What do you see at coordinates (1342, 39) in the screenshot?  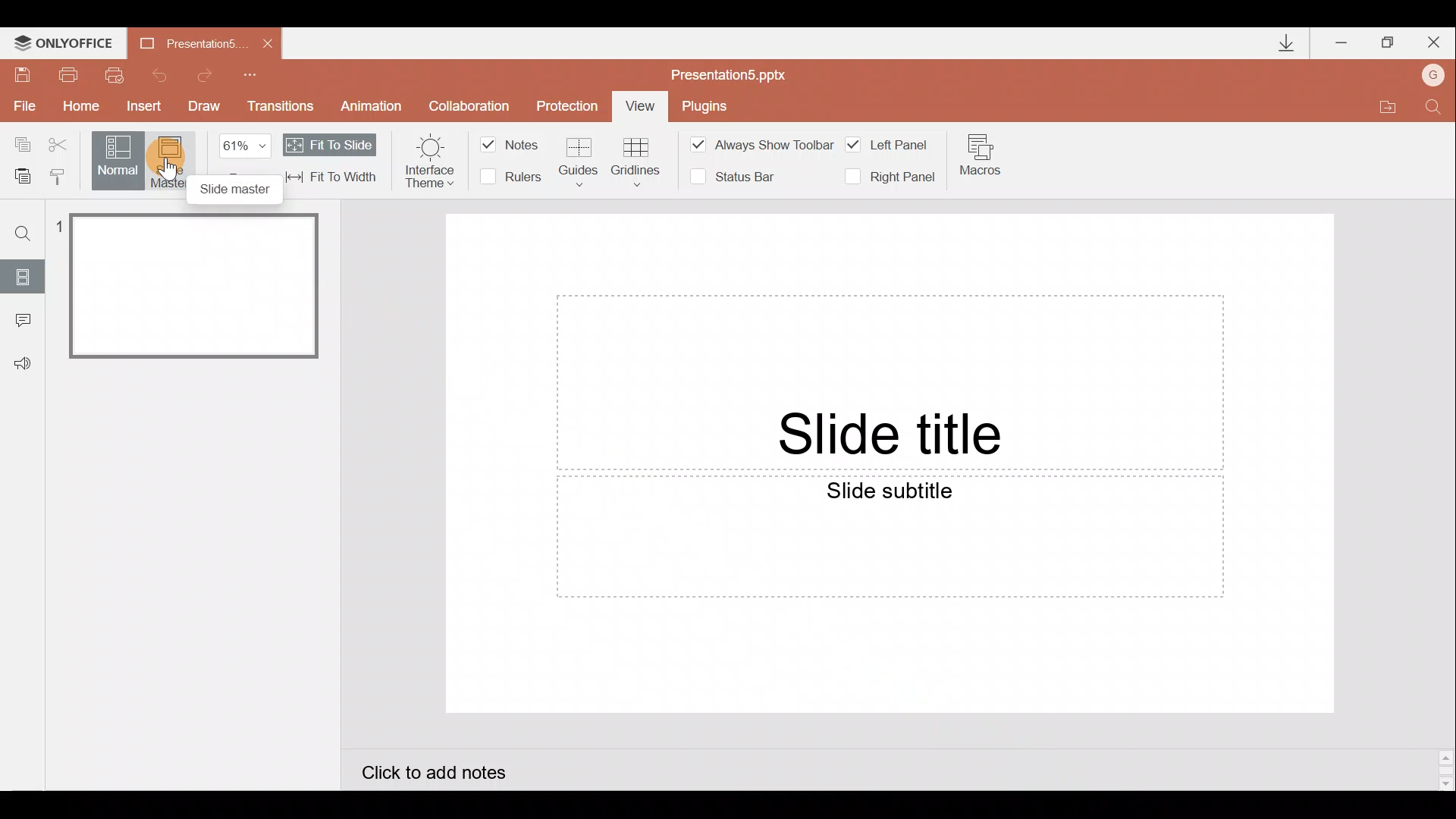 I see `Minimize` at bounding box center [1342, 39].